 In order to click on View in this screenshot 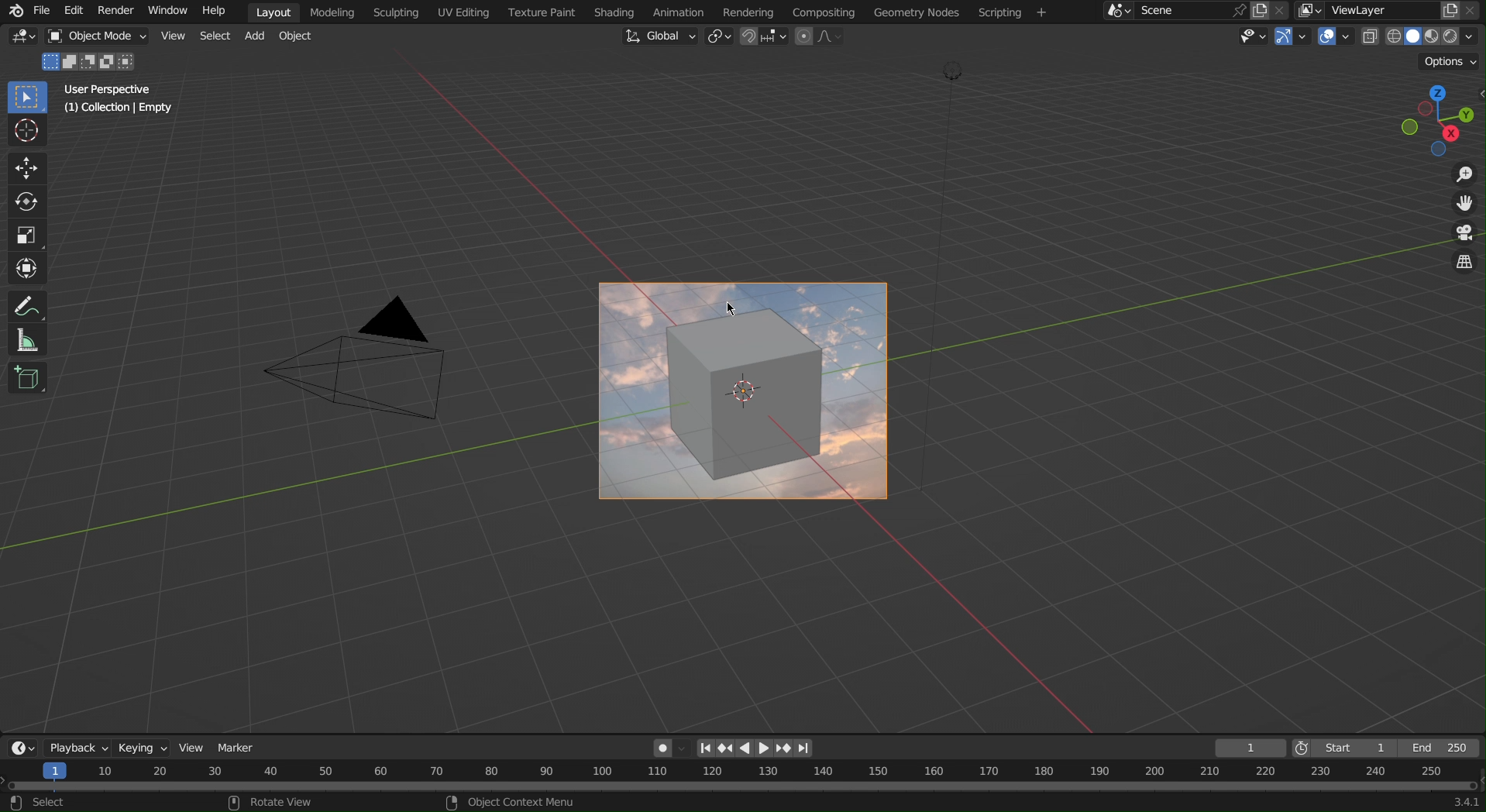, I will do `click(194, 746)`.